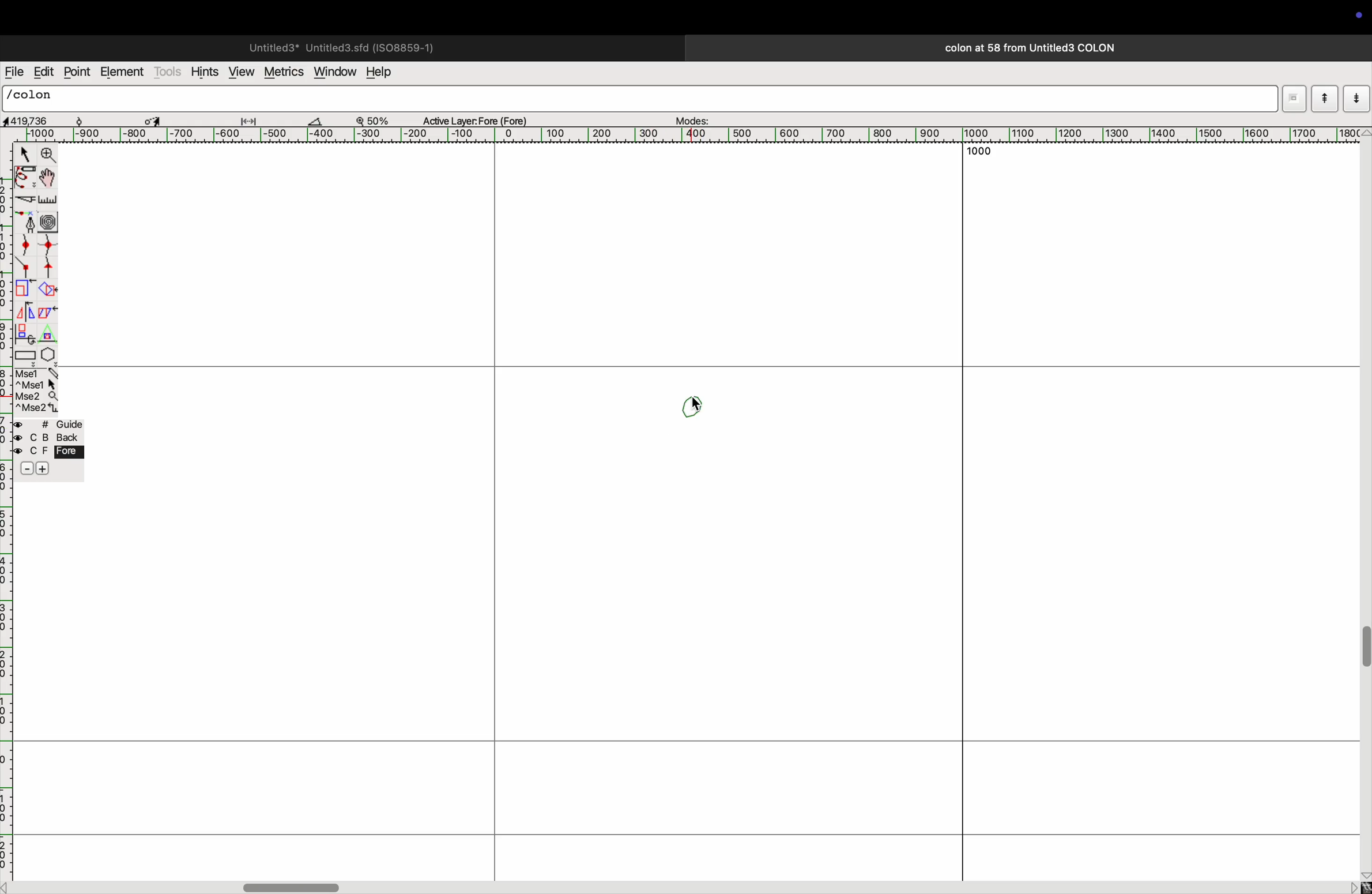  What do you see at coordinates (240, 72) in the screenshot?
I see `view` at bounding box center [240, 72].